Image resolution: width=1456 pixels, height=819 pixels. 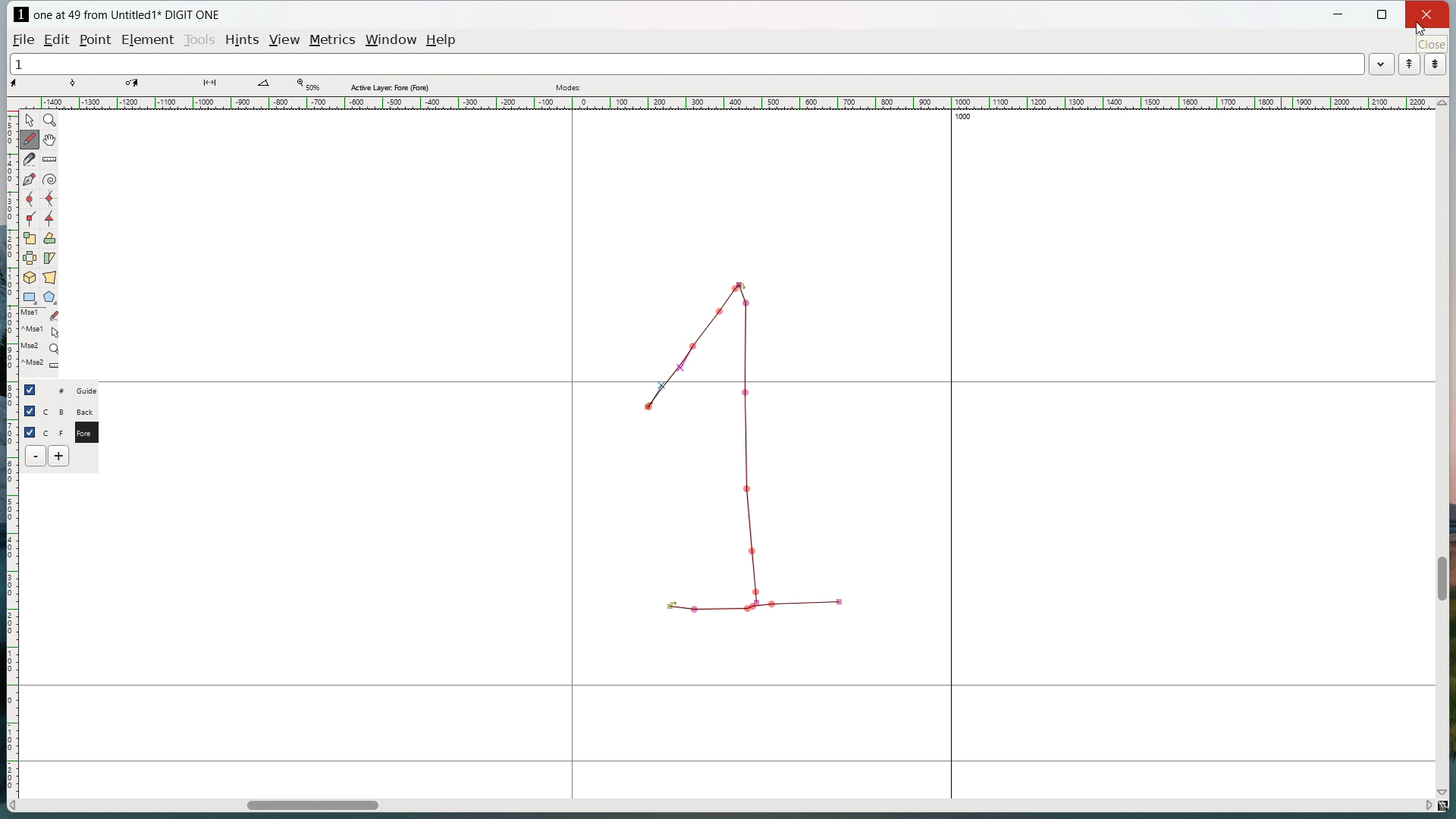 What do you see at coordinates (312, 808) in the screenshot?
I see `horizontal scrollbar` at bounding box center [312, 808].